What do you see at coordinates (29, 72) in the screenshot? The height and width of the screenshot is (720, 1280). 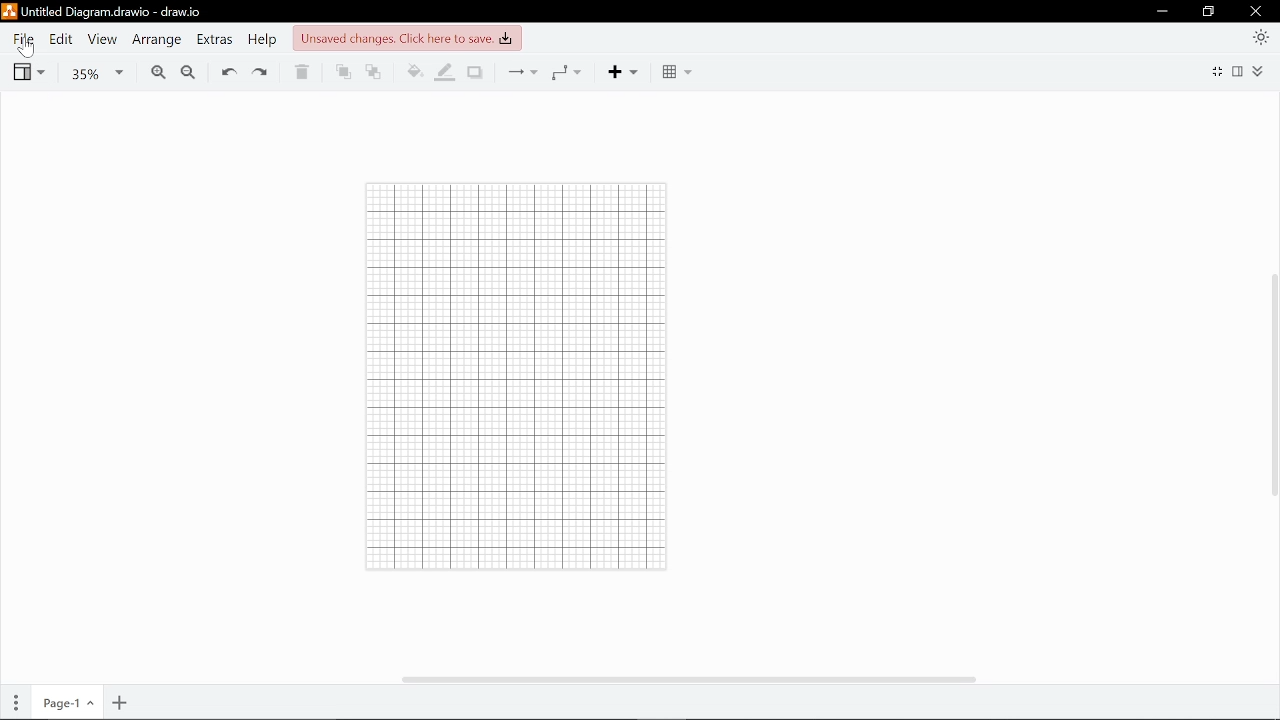 I see `View` at bounding box center [29, 72].